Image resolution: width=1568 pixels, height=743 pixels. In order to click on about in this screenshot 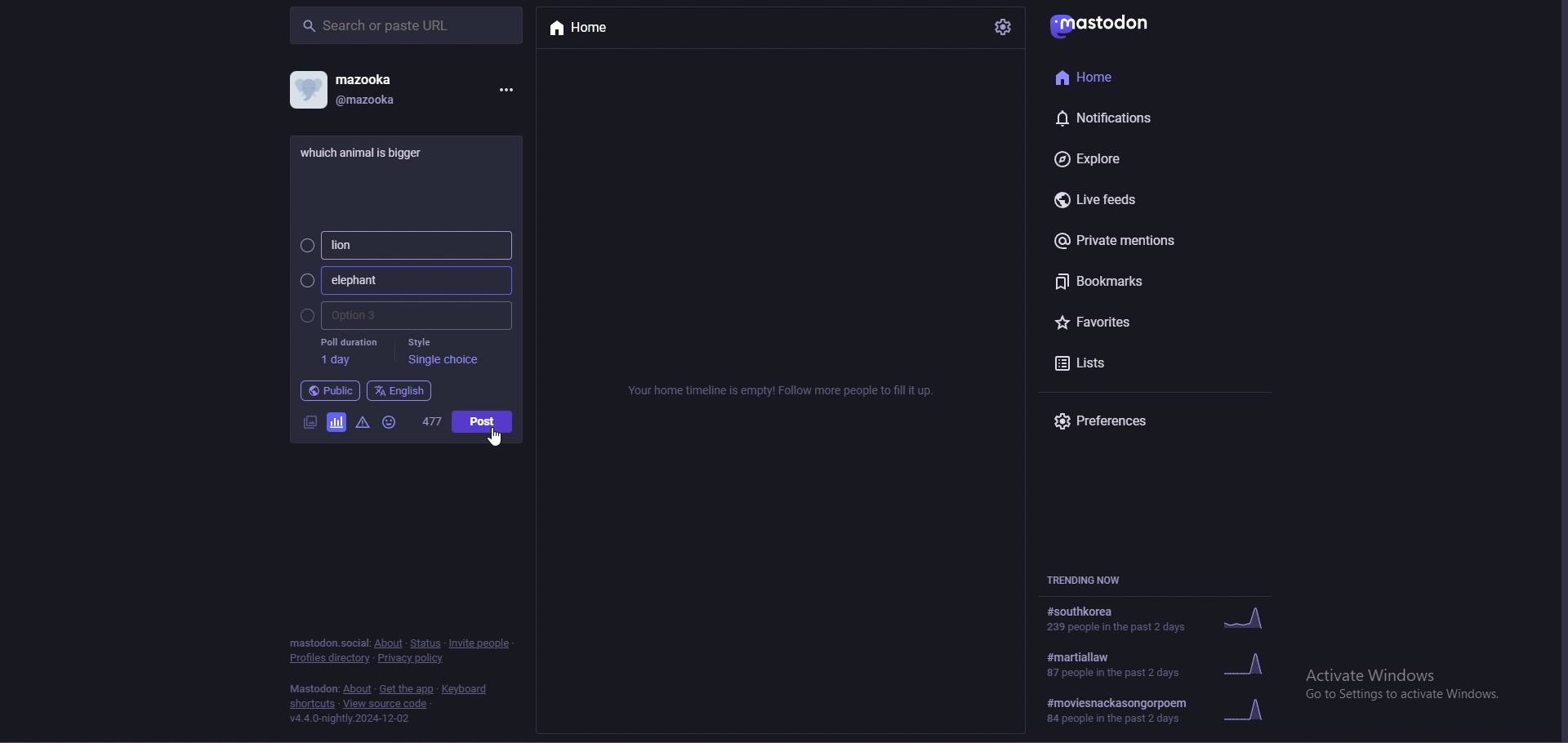, I will do `click(390, 643)`.